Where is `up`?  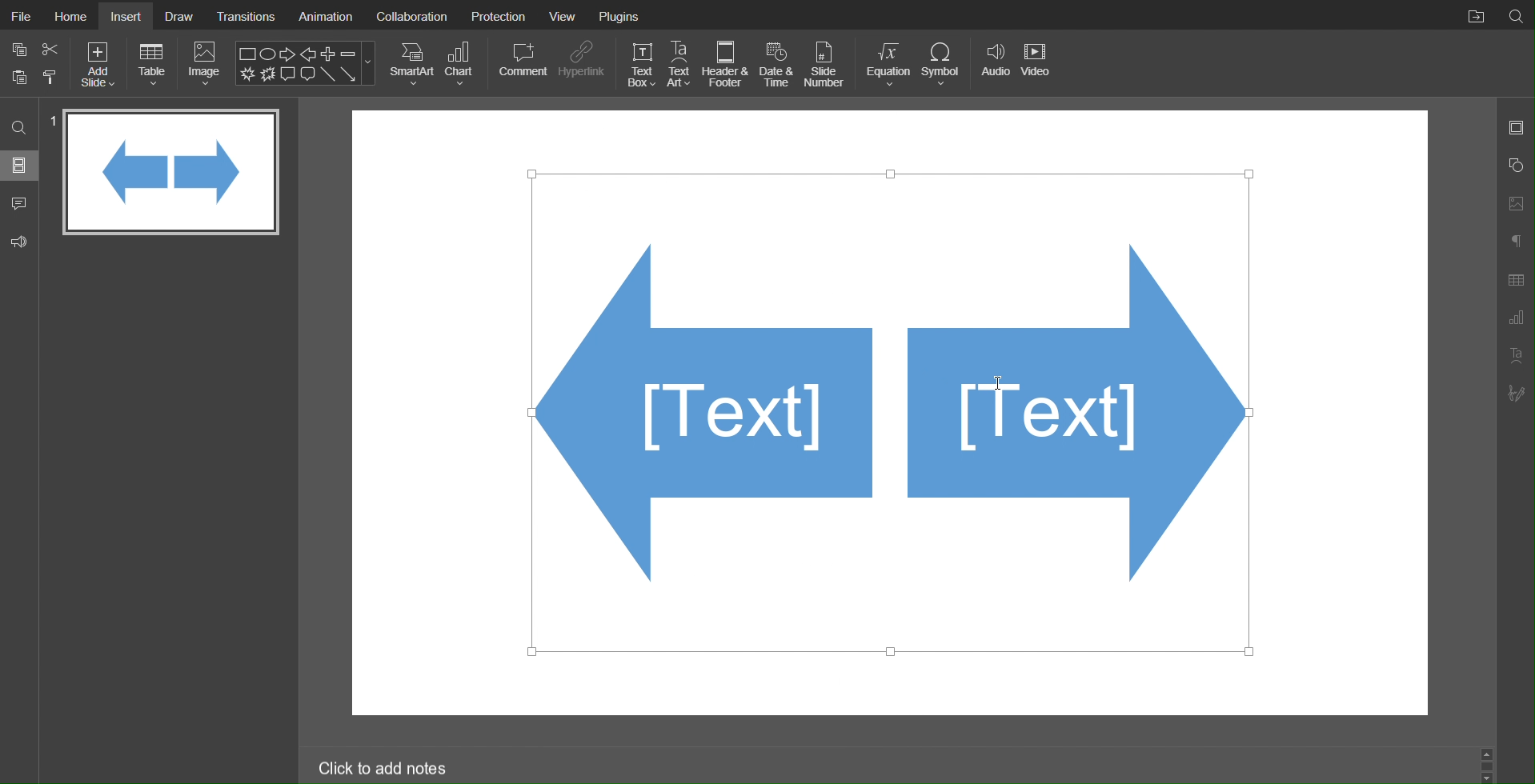 up is located at coordinates (1490, 755).